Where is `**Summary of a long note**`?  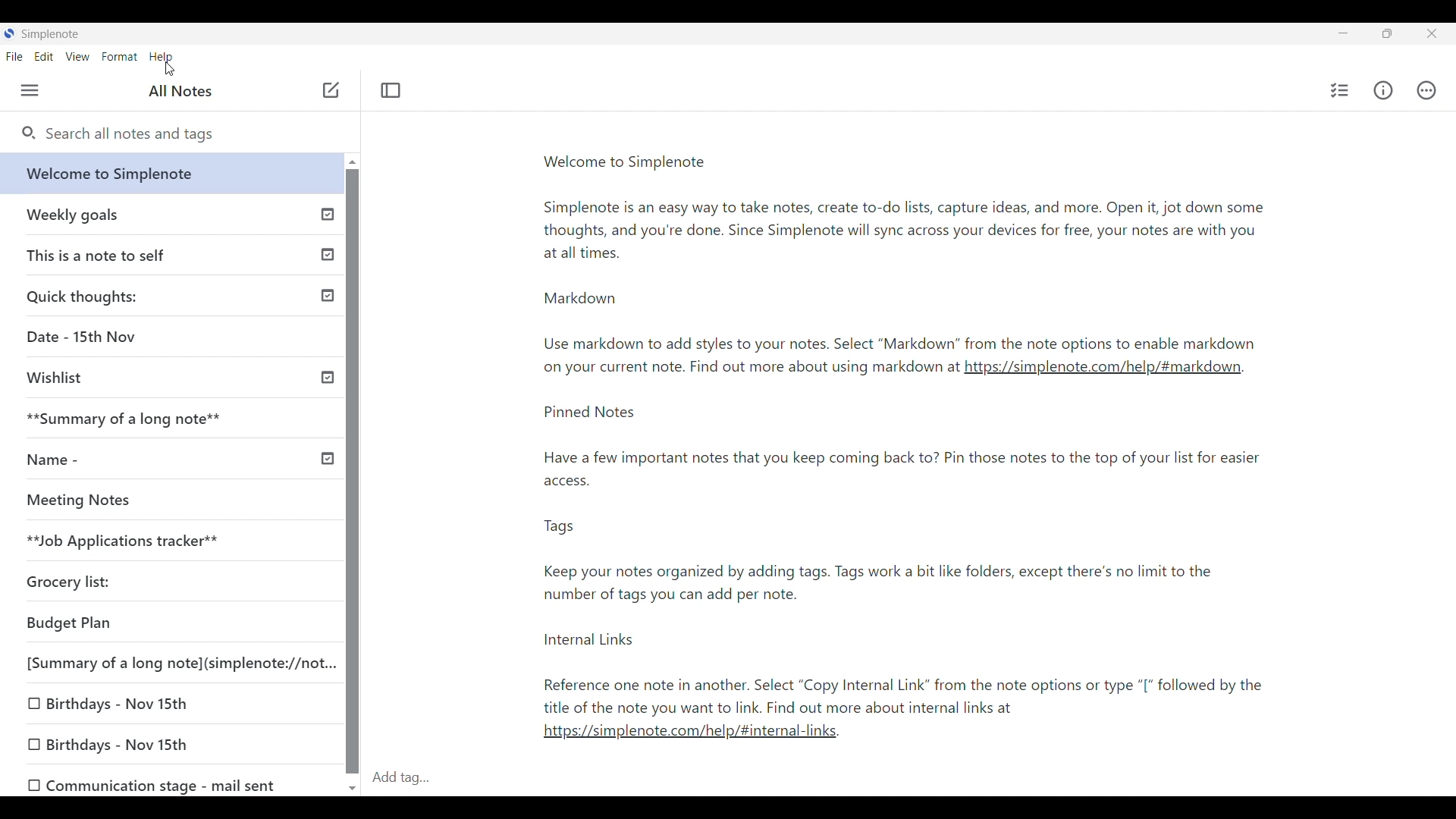
**Summary of a long note** is located at coordinates (127, 419).